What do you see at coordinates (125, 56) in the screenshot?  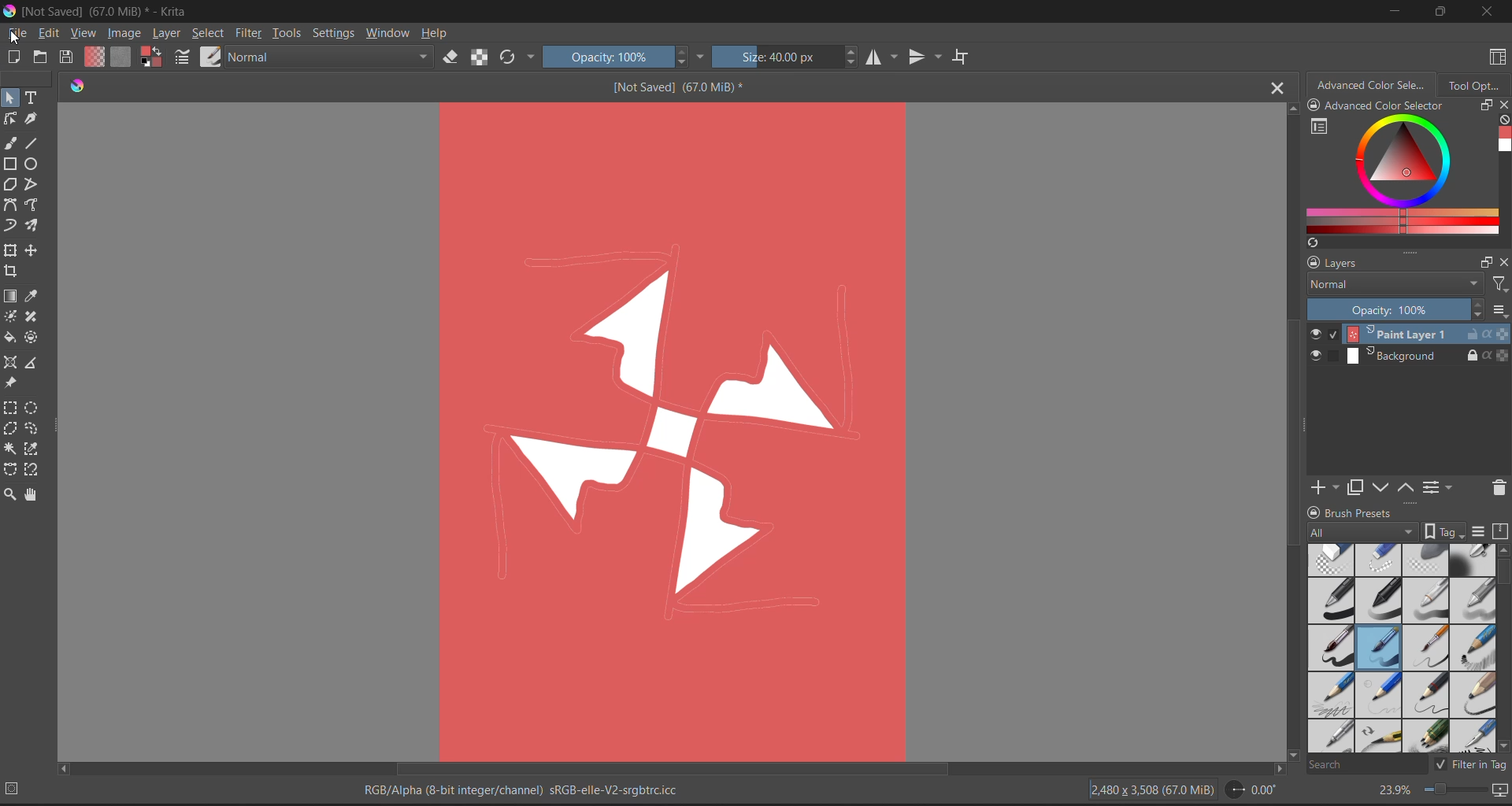 I see `fill patterns` at bounding box center [125, 56].